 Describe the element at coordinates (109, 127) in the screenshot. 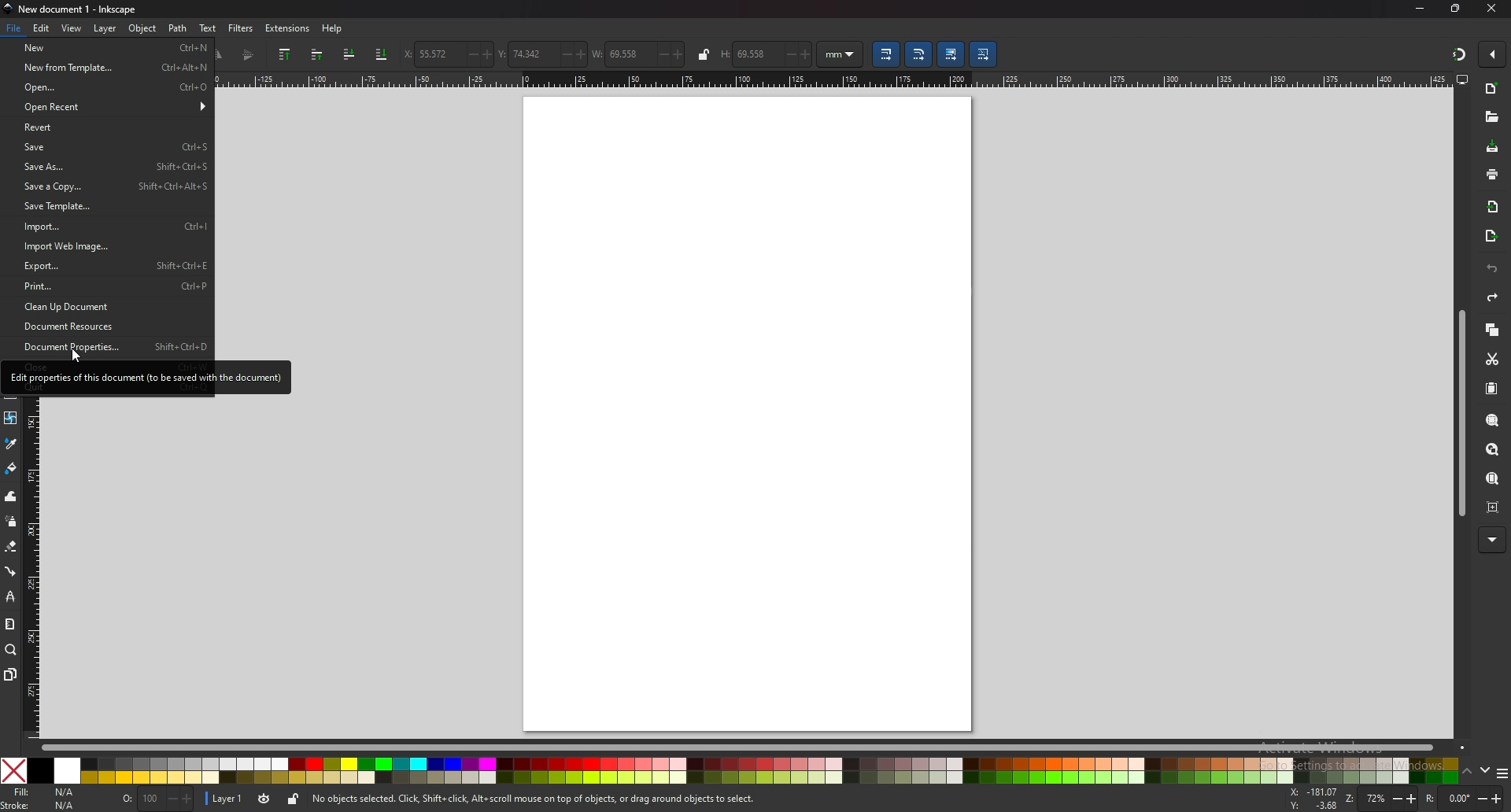

I see `revert` at that location.